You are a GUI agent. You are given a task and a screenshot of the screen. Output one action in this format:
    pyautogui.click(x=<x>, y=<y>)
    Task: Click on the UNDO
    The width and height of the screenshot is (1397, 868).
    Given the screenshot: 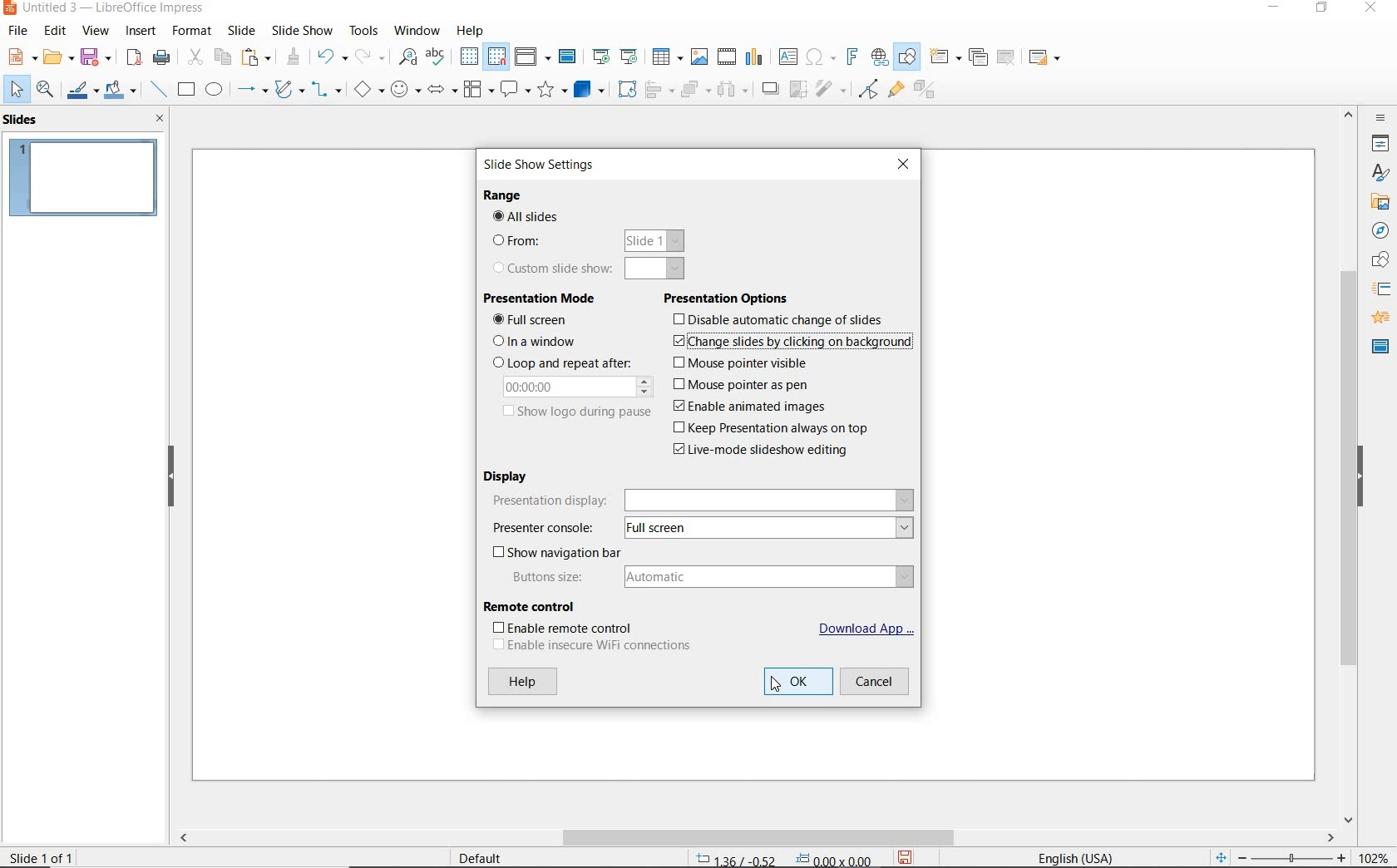 What is the action you would take?
    pyautogui.click(x=329, y=57)
    